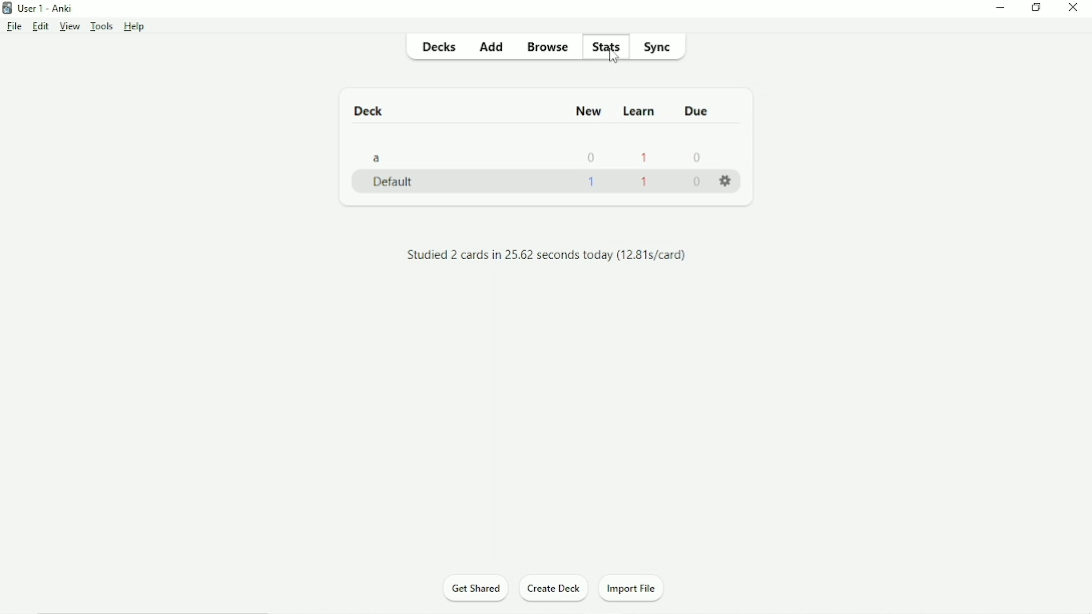 Image resolution: width=1092 pixels, height=614 pixels. I want to click on Get shared, so click(474, 588).